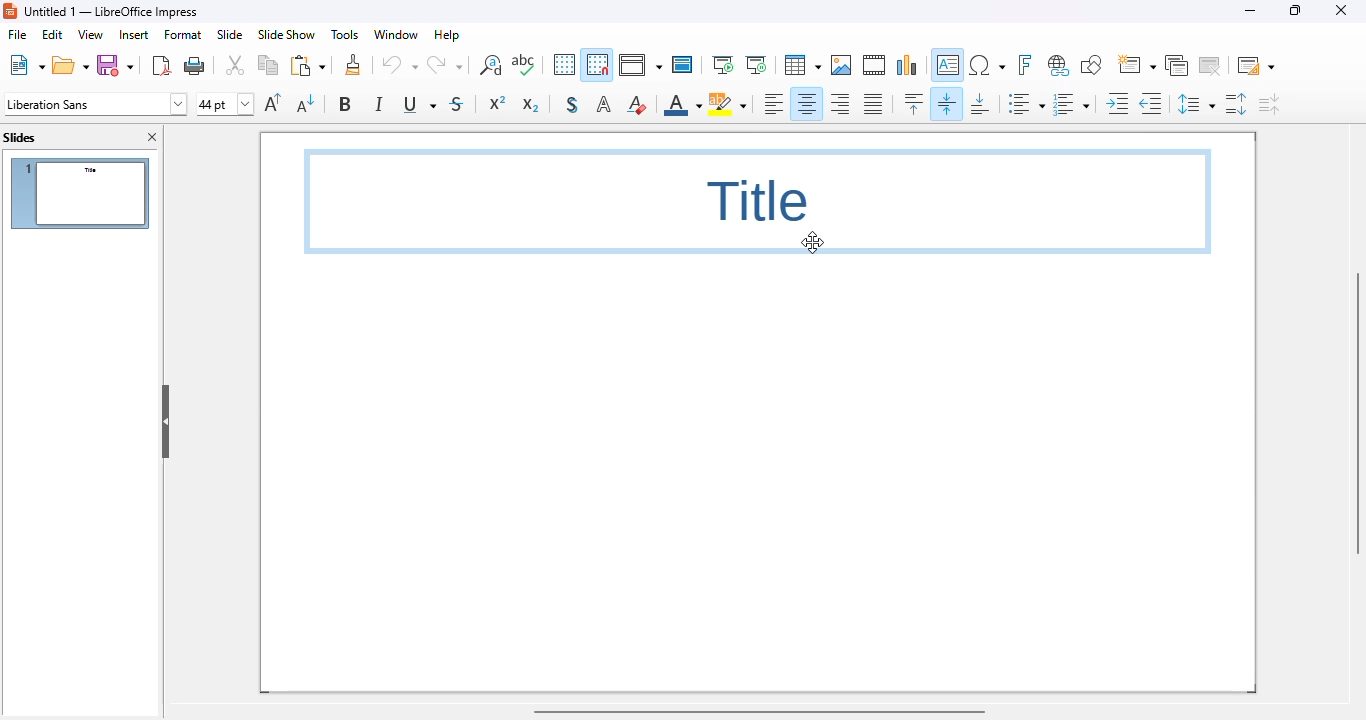  I want to click on title, so click(113, 11).